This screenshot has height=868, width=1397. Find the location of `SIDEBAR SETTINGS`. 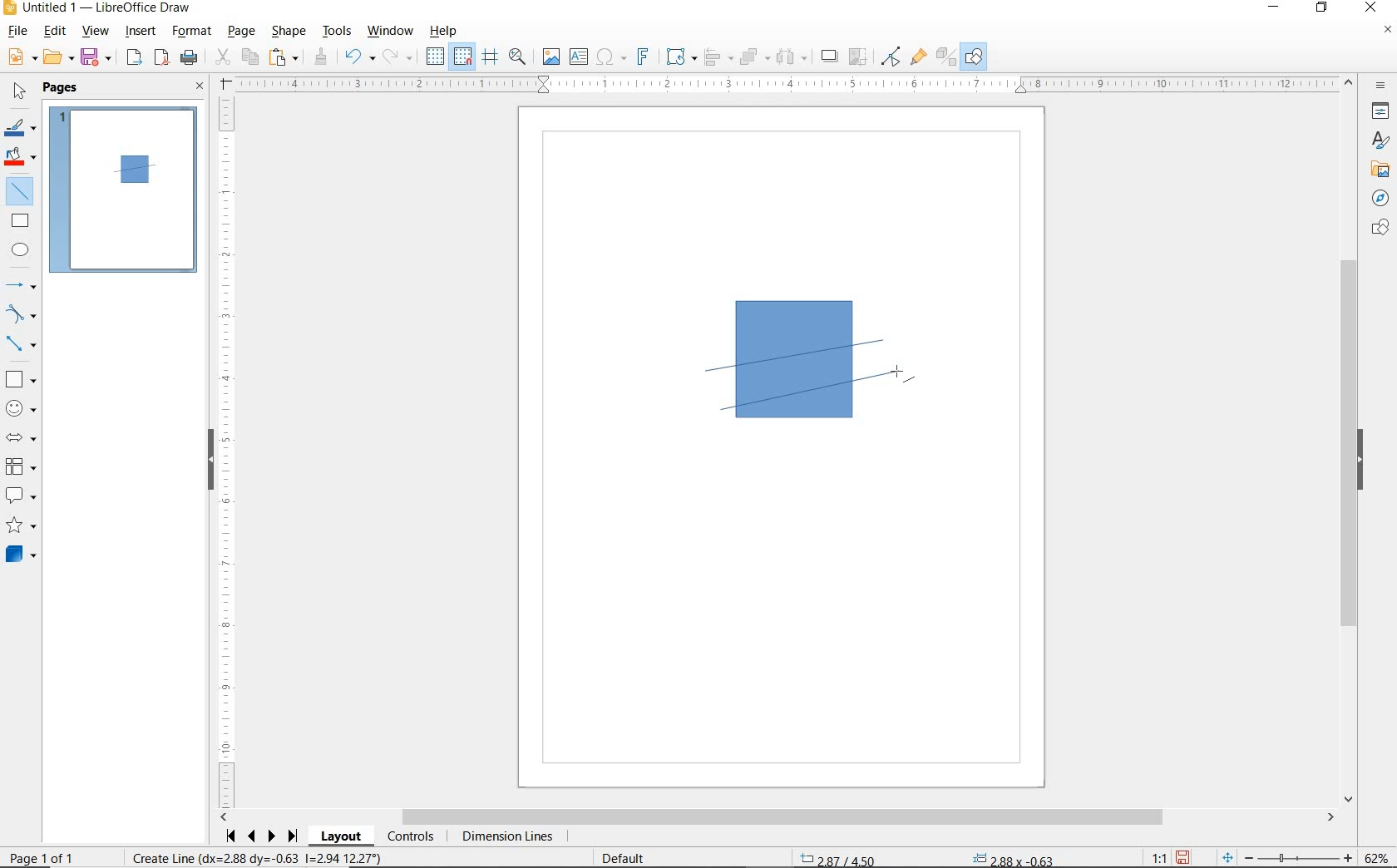

SIDEBAR SETTINGS is located at coordinates (1382, 86).